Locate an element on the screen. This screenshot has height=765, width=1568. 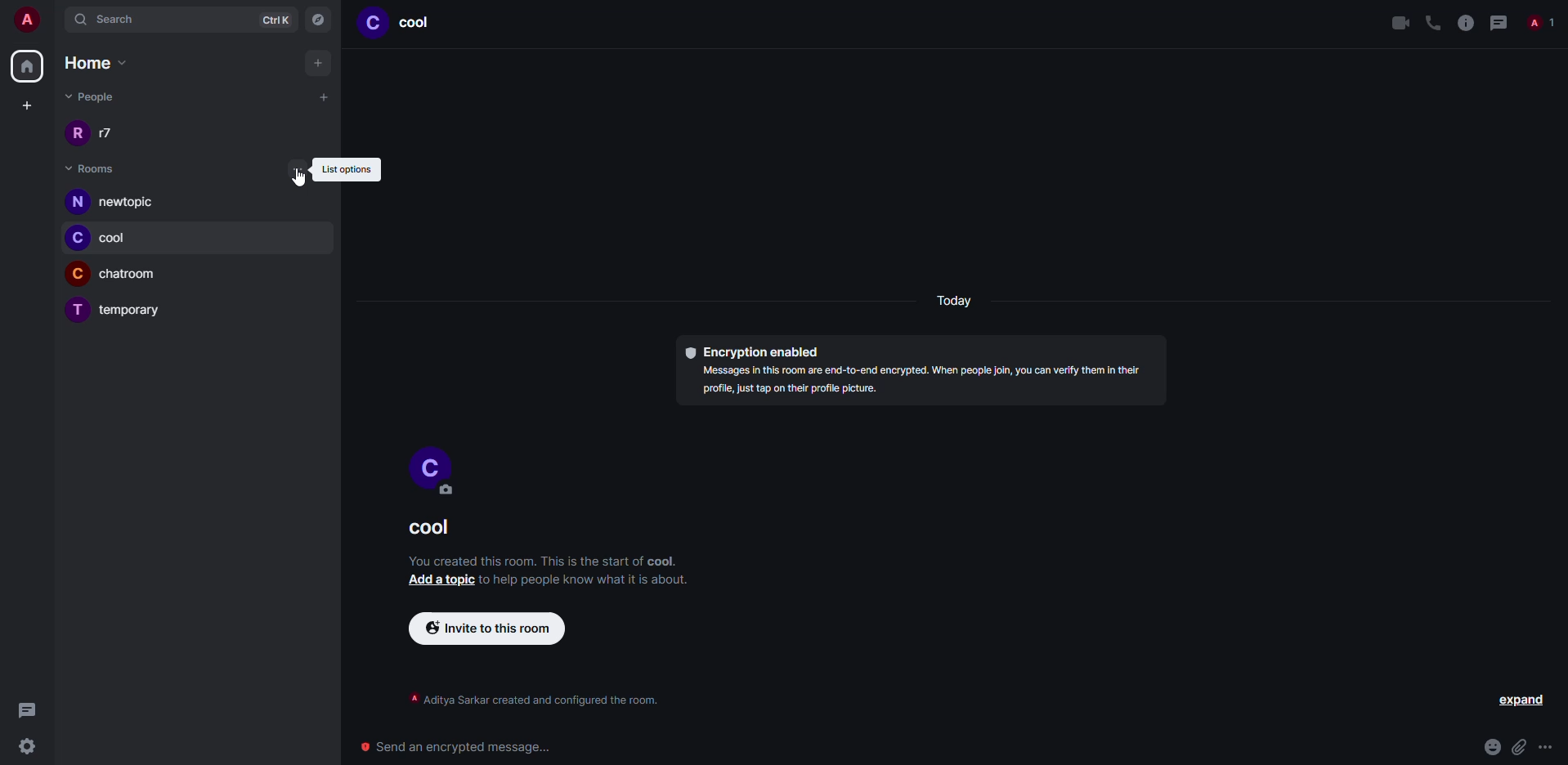
list options is located at coordinates (346, 170).